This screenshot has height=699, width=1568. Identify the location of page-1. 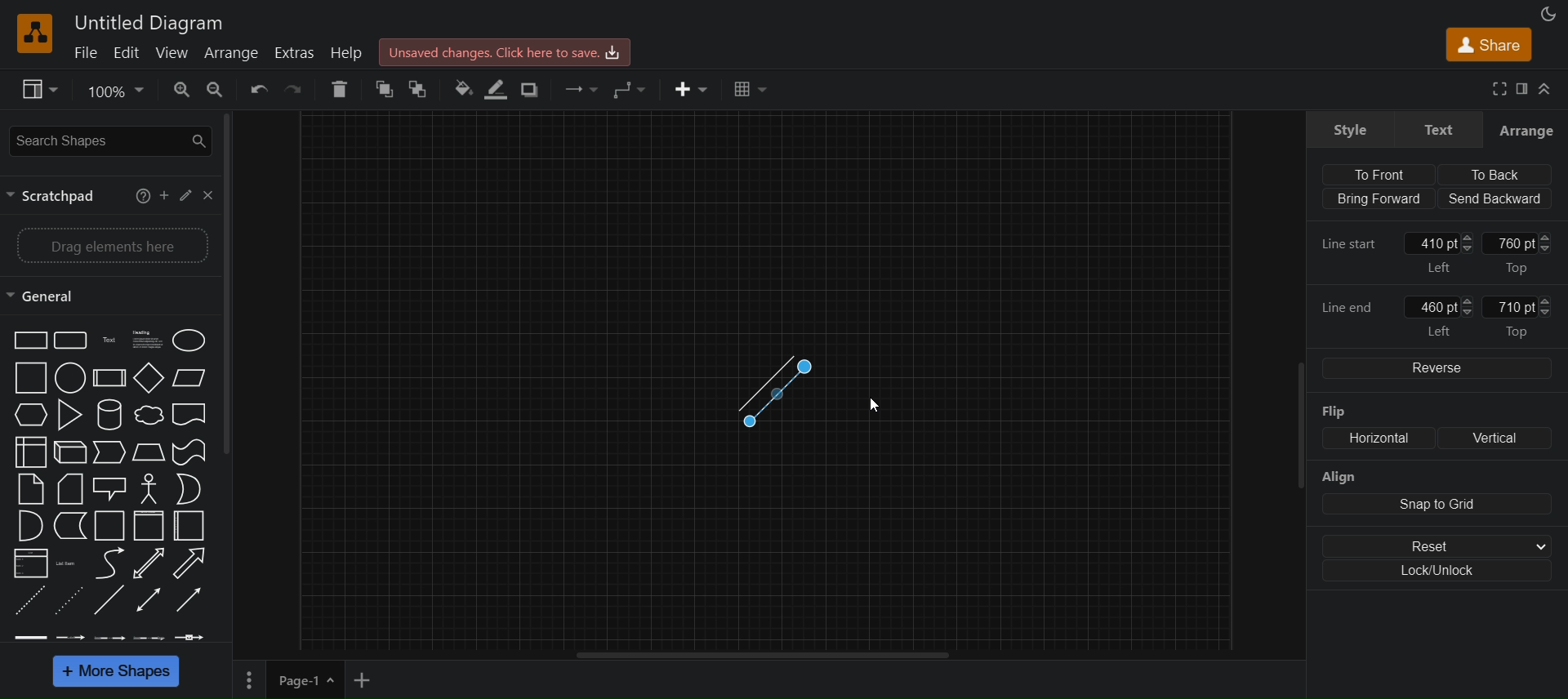
(307, 679).